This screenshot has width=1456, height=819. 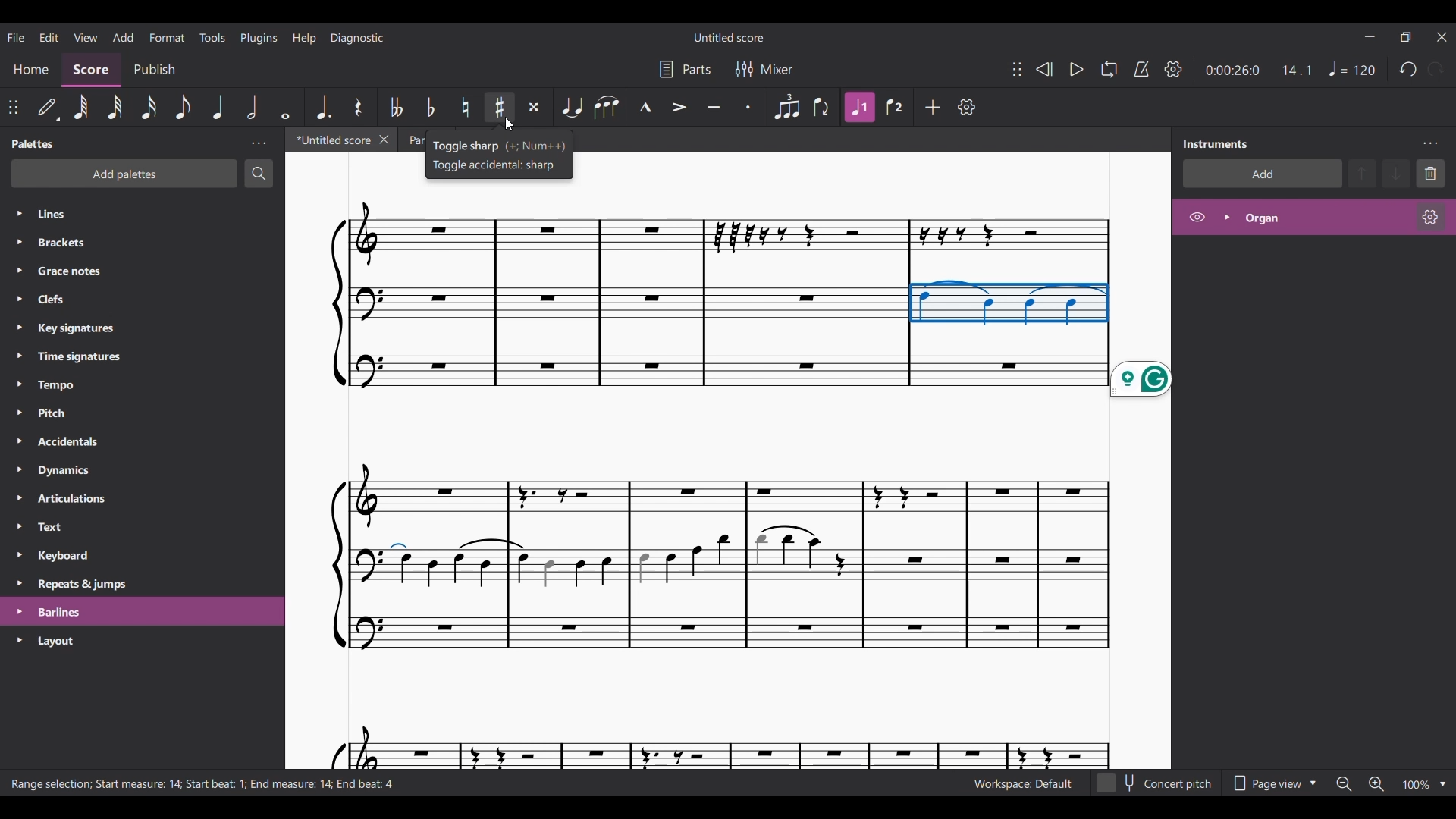 I want to click on 32nd note, so click(x=116, y=108).